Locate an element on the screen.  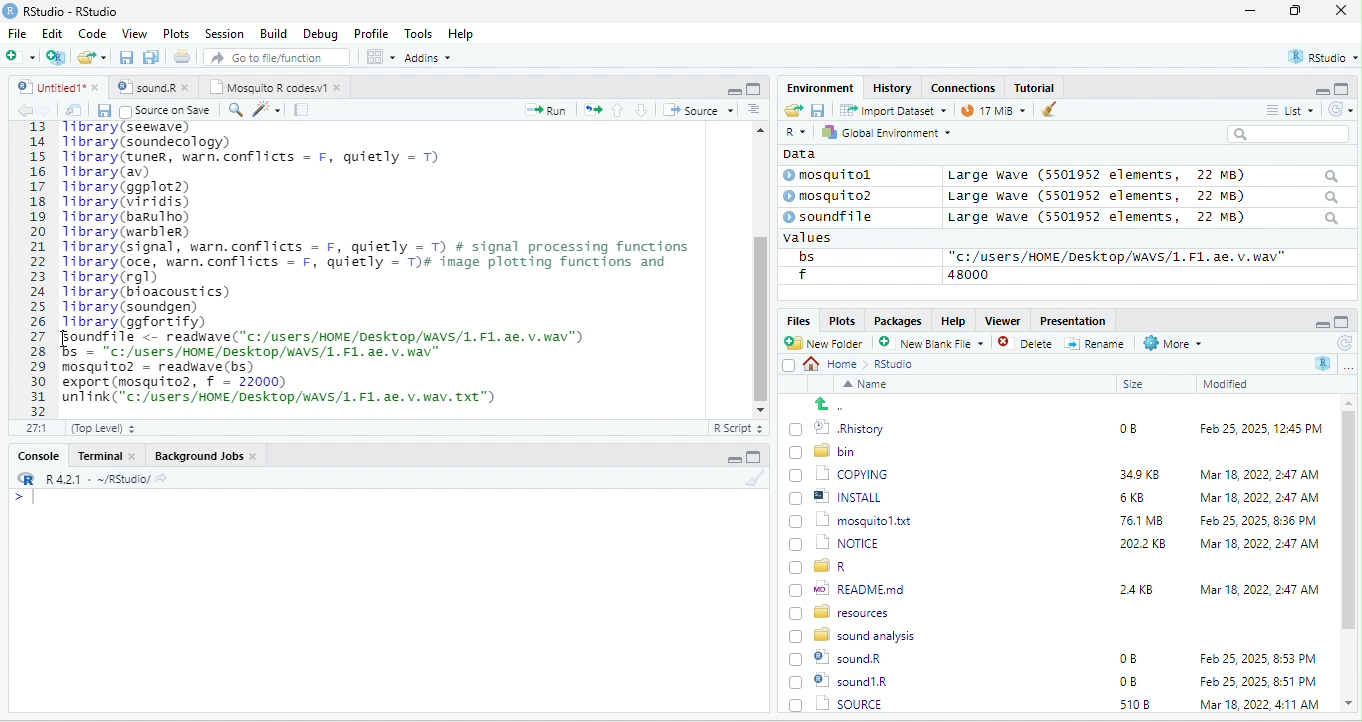
rstudio is located at coordinates (1319, 58).